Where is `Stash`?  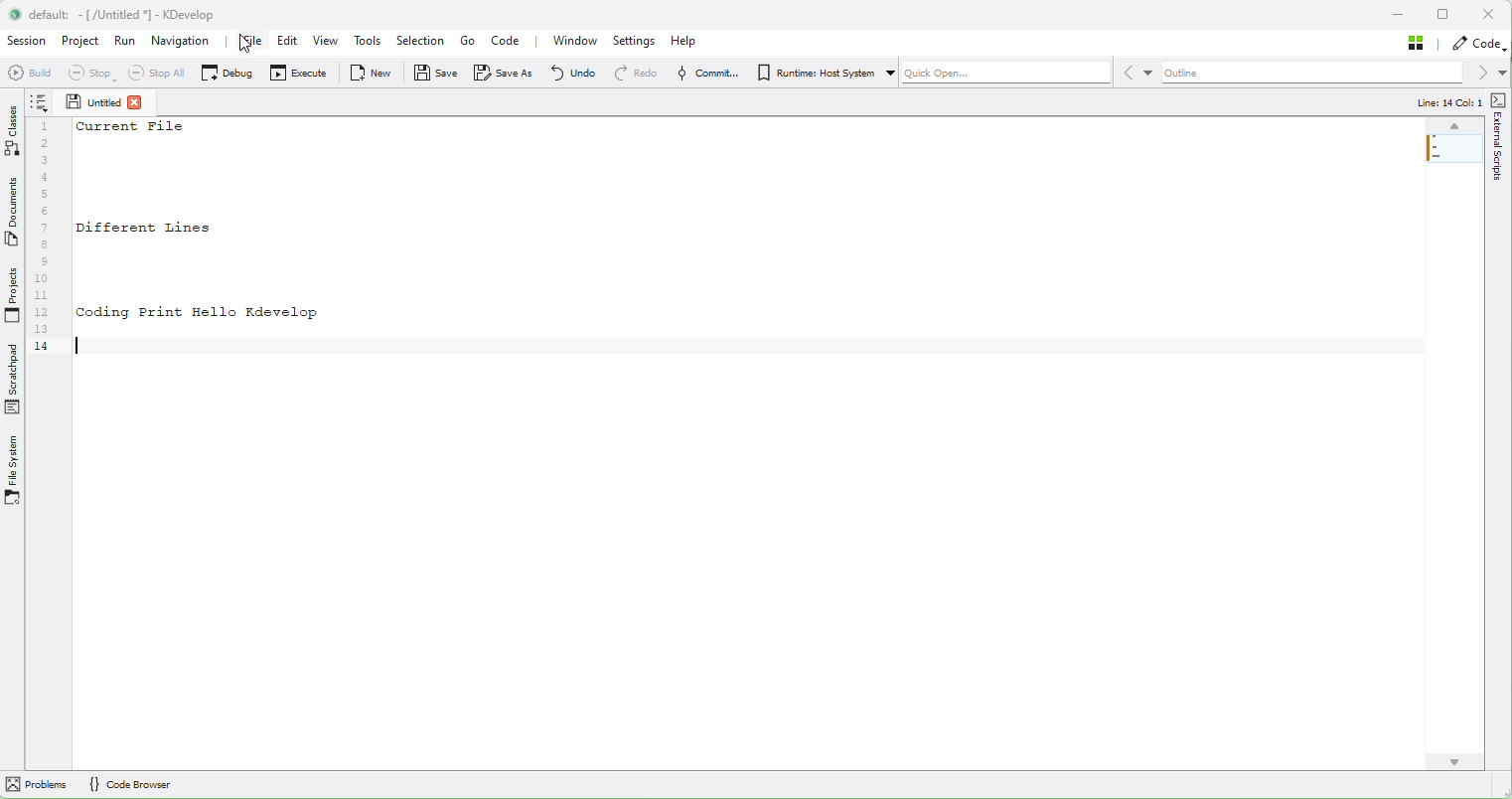
Stash is located at coordinates (1421, 44).